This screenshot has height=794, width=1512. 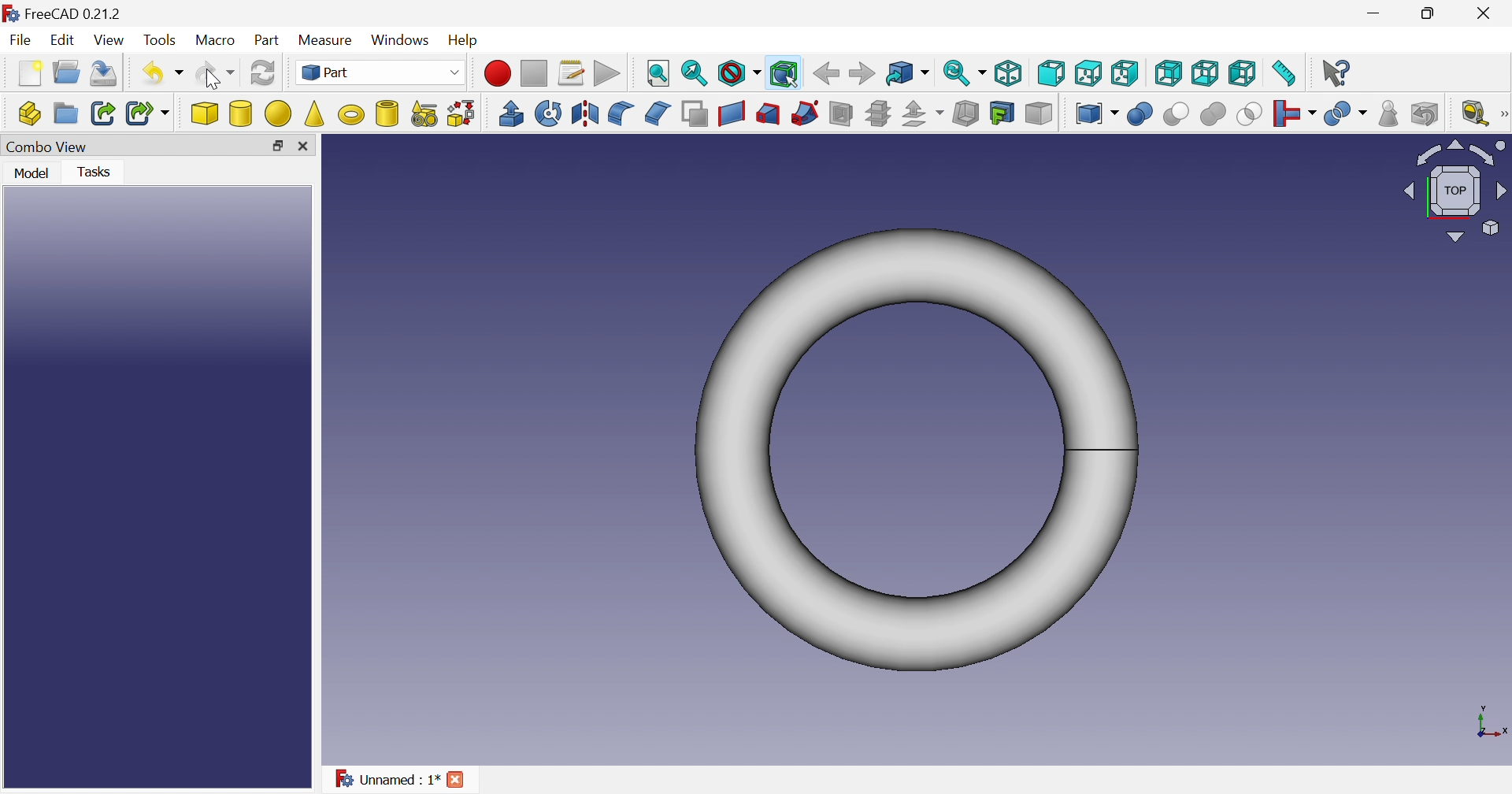 I want to click on Close, so click(x=458, y=779).